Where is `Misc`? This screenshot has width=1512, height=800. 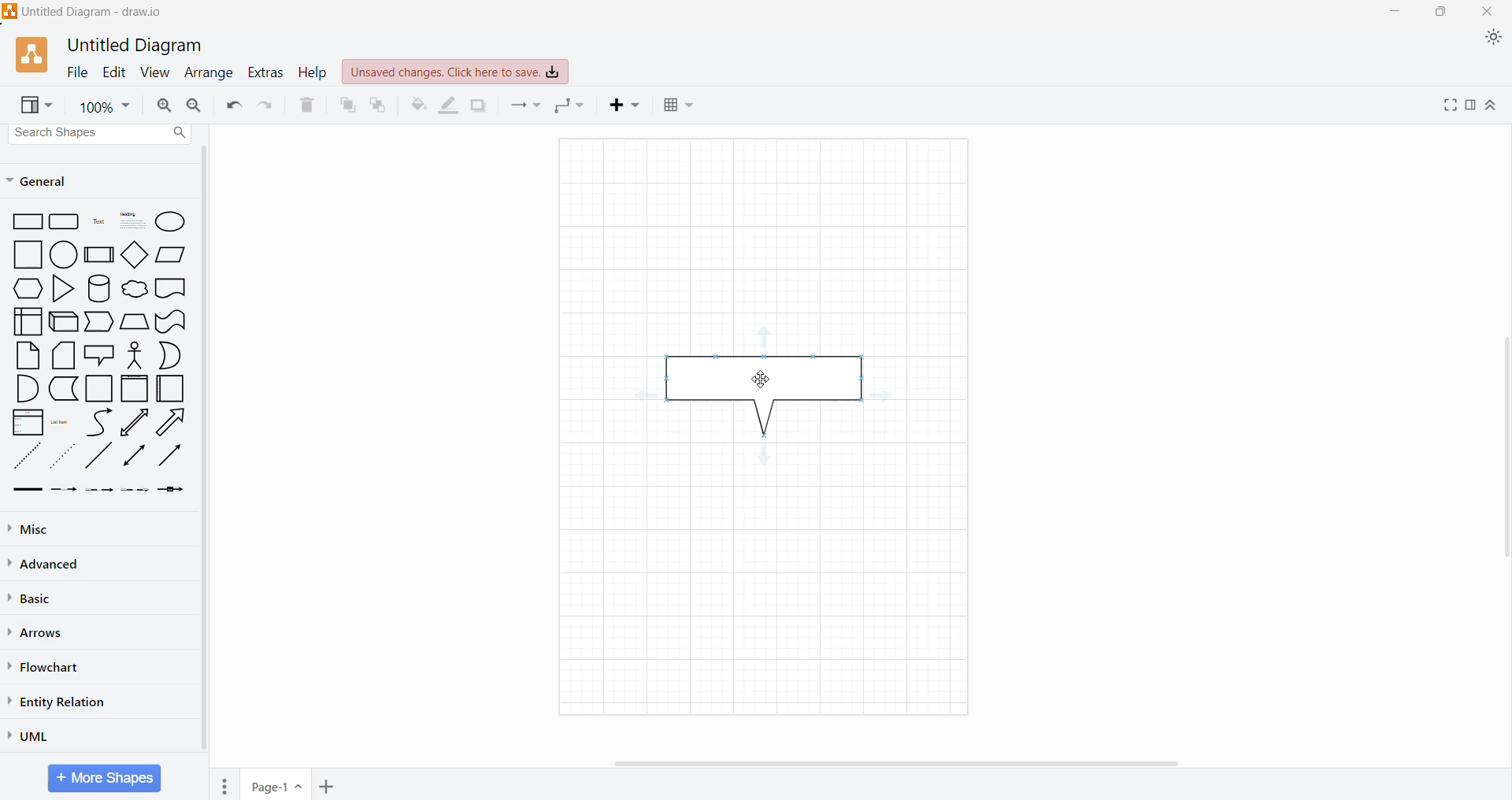
Misc is located at coordinates (35, 528).